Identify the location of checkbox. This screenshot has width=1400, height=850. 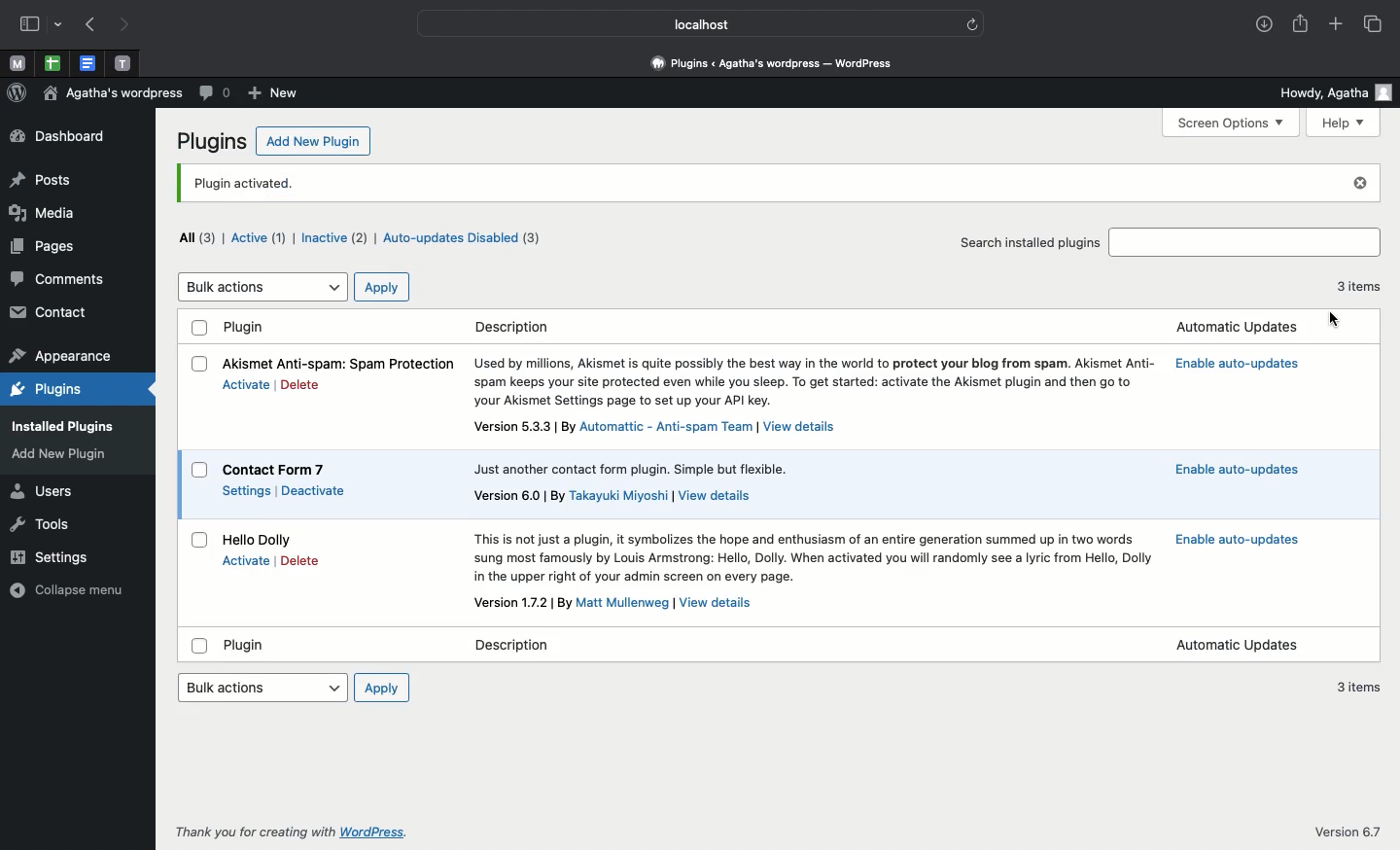
(194, 646).